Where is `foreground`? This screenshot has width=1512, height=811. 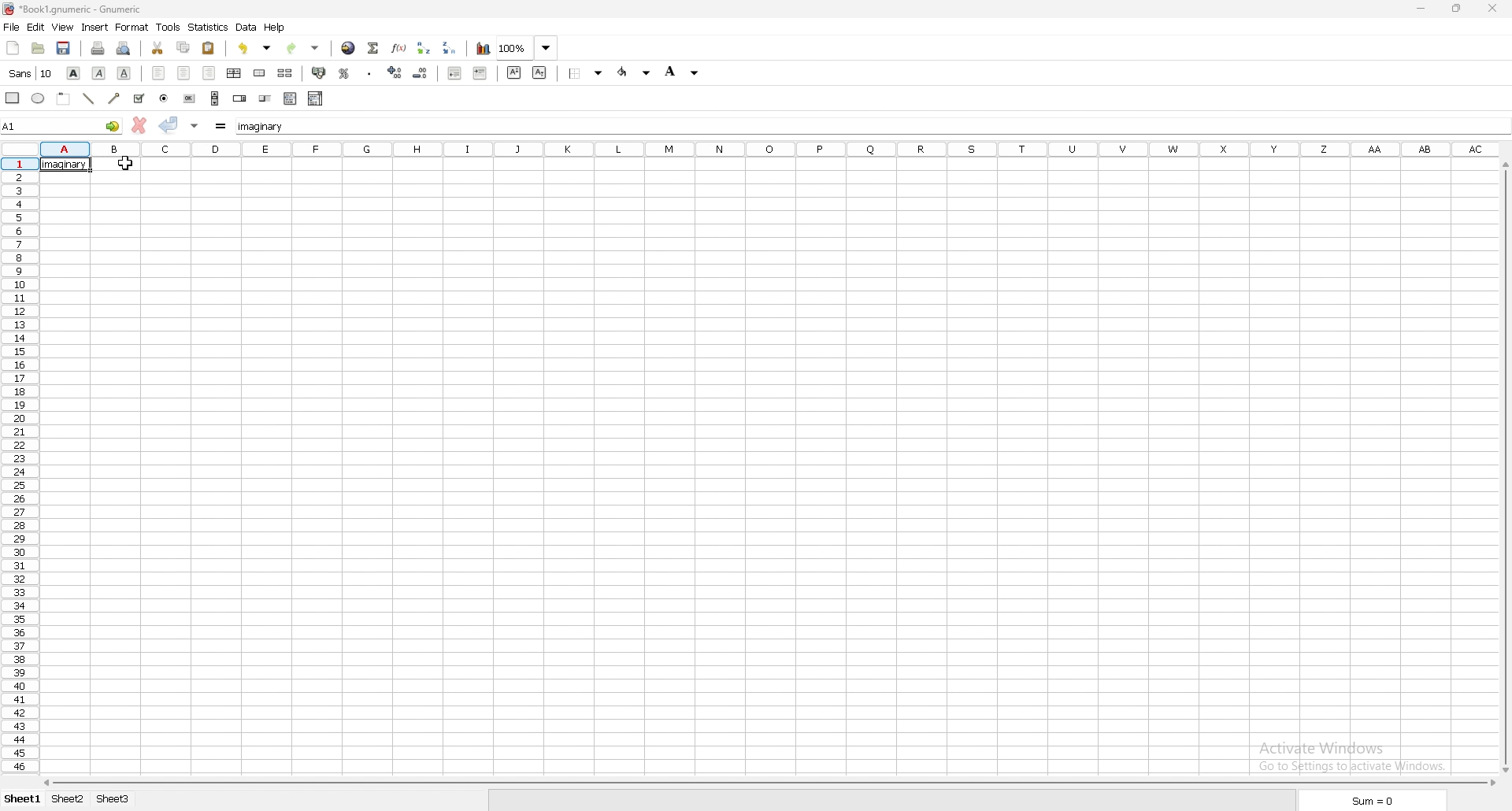
foreground is located at coordinates (636, 72).